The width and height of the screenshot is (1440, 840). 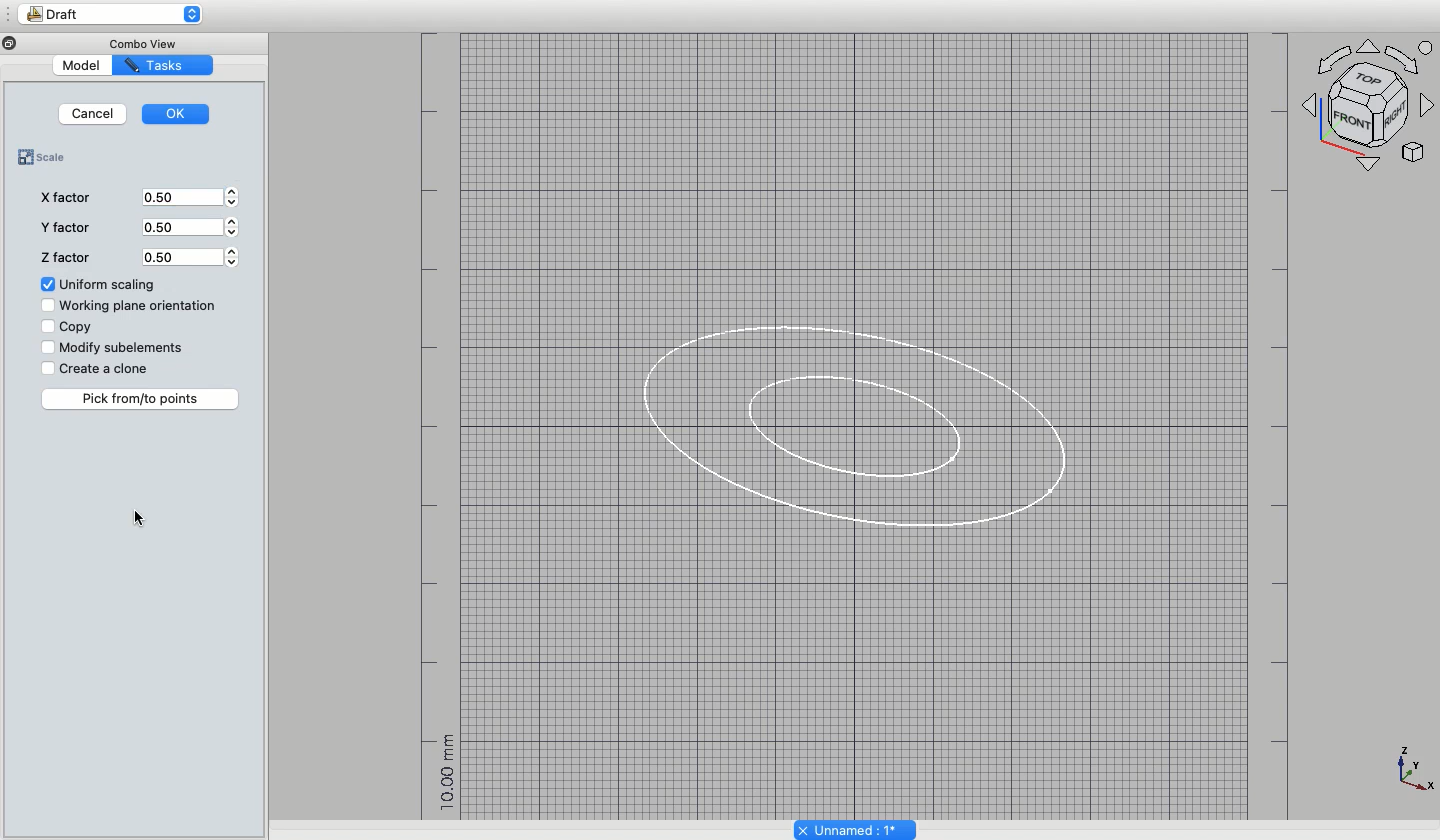 What do you see at coordinates (856, 828) in the screenshot?
I see `Unnamed: 1` at bounding box center [856, 828].